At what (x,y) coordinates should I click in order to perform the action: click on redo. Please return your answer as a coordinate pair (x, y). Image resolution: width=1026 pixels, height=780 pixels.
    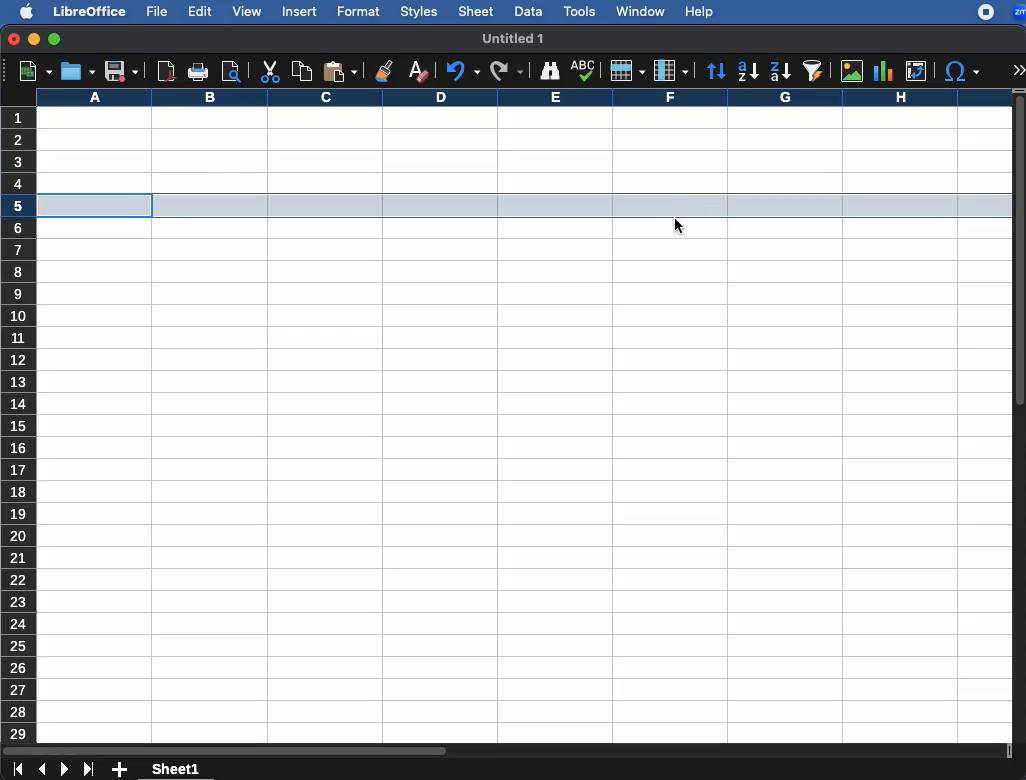
    Looking at the image, I should click on (507, 70).